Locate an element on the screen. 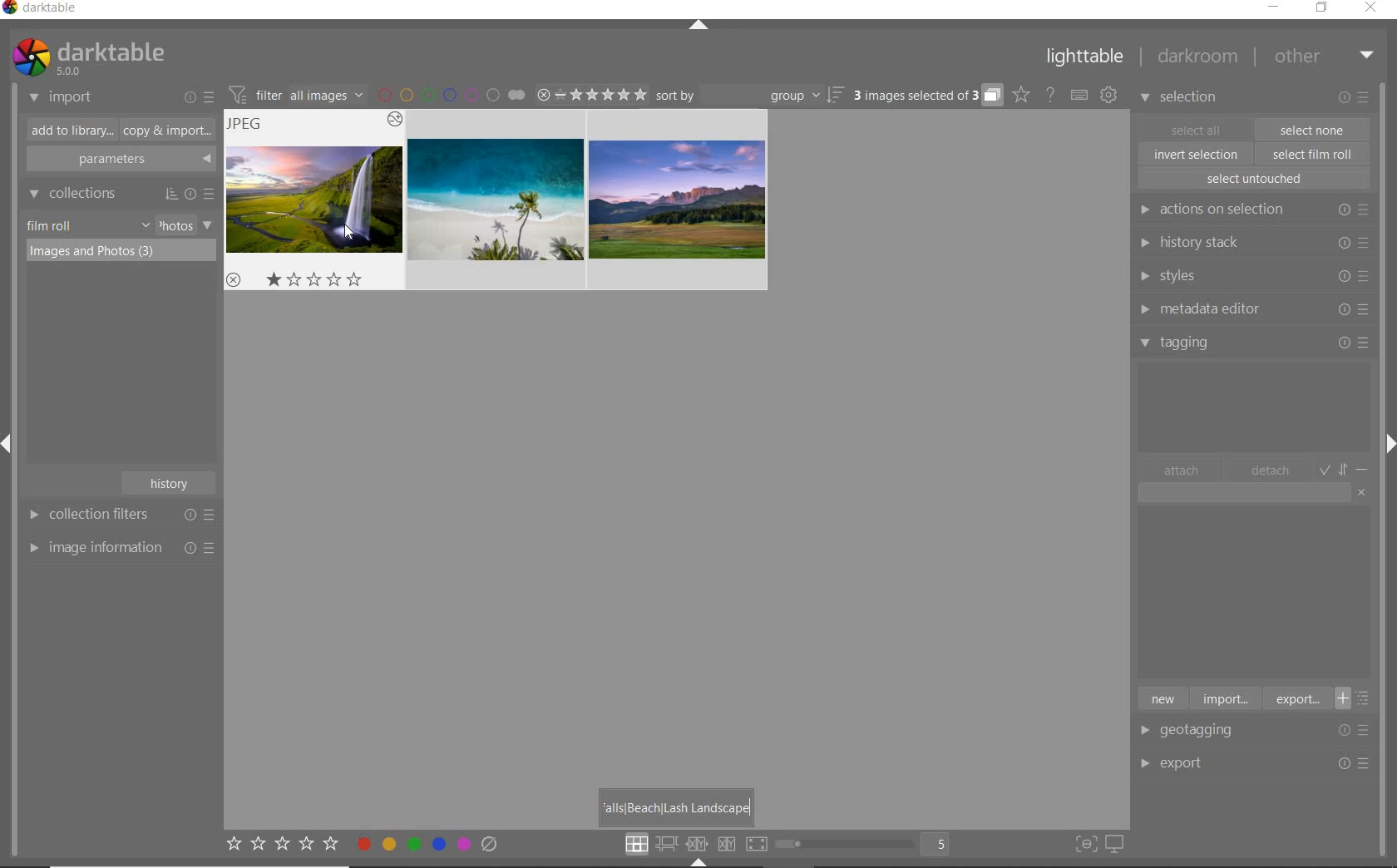 The width and height of the screenshot is (1397, 868). Expand is located at coordinates (13, 447).